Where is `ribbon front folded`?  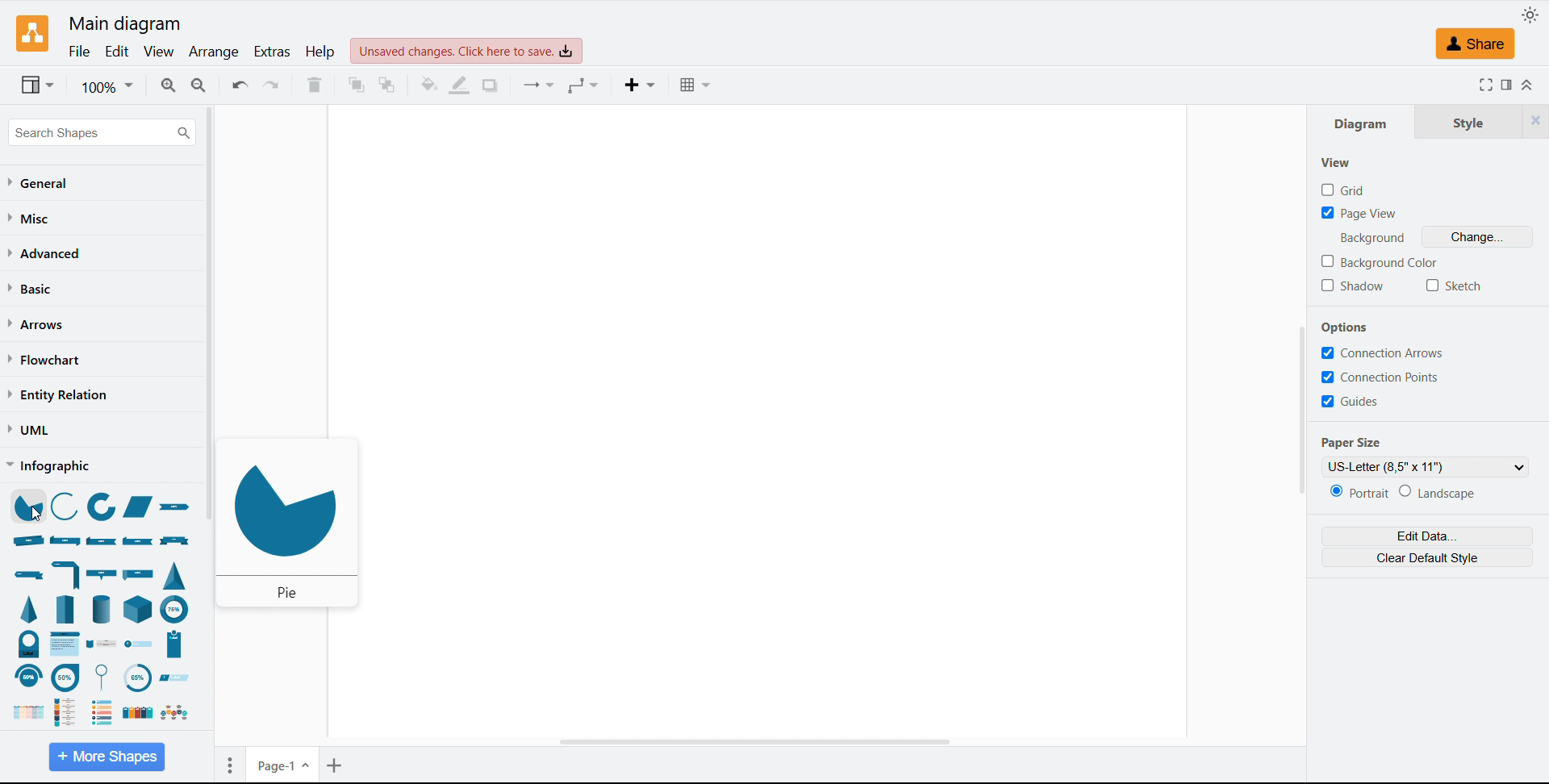 ribbon front folded is located at coordinates (102, 541).